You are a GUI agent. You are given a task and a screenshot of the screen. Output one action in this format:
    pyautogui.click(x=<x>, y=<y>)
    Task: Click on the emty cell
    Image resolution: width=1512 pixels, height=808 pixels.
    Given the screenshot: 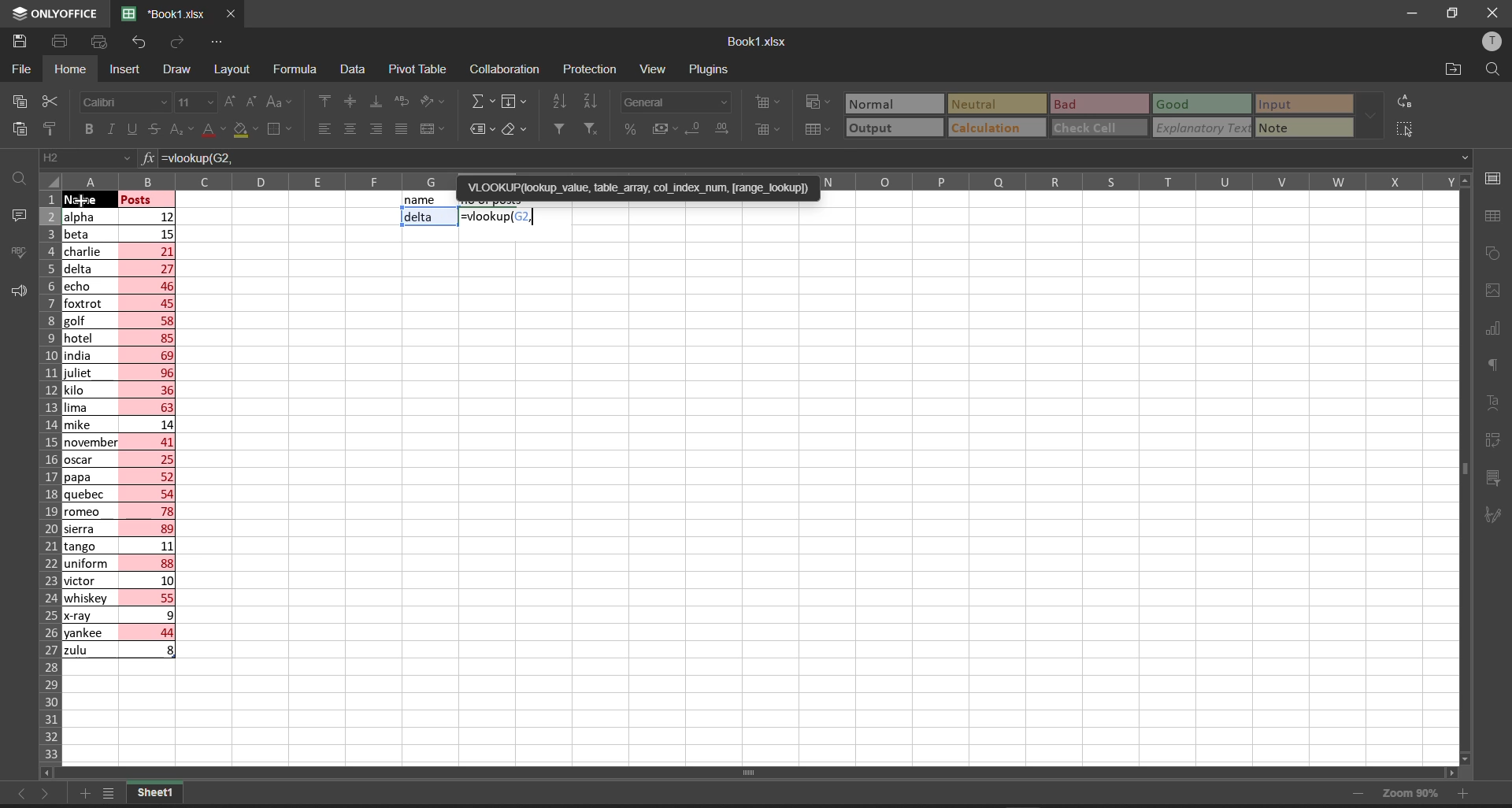 What is the action you would take?
    pyautogui.click(x=813, y=500)
    